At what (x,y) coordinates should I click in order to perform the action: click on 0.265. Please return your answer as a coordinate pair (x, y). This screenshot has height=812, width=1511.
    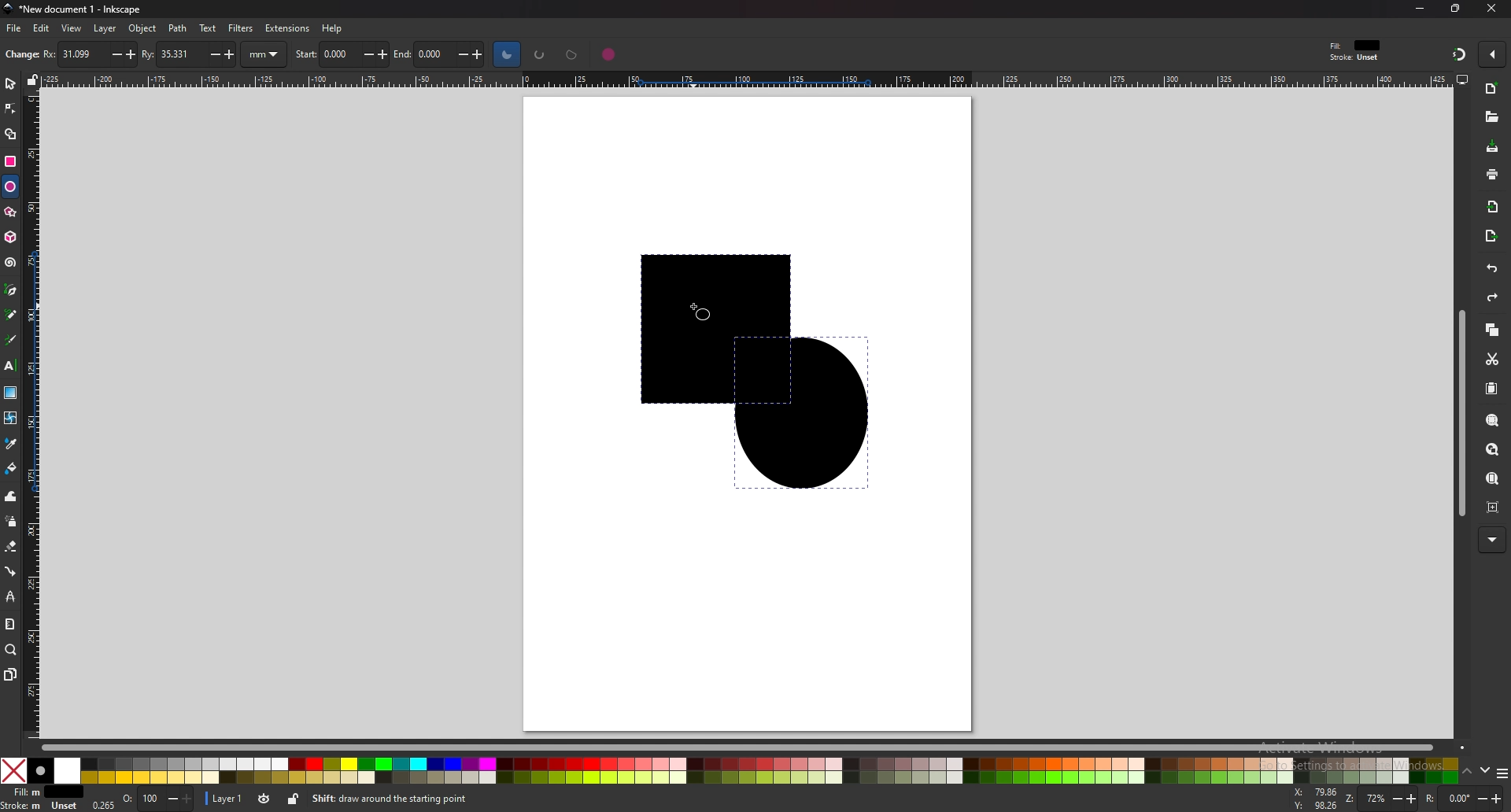
    Looking at the image, I should click on (102, 806).